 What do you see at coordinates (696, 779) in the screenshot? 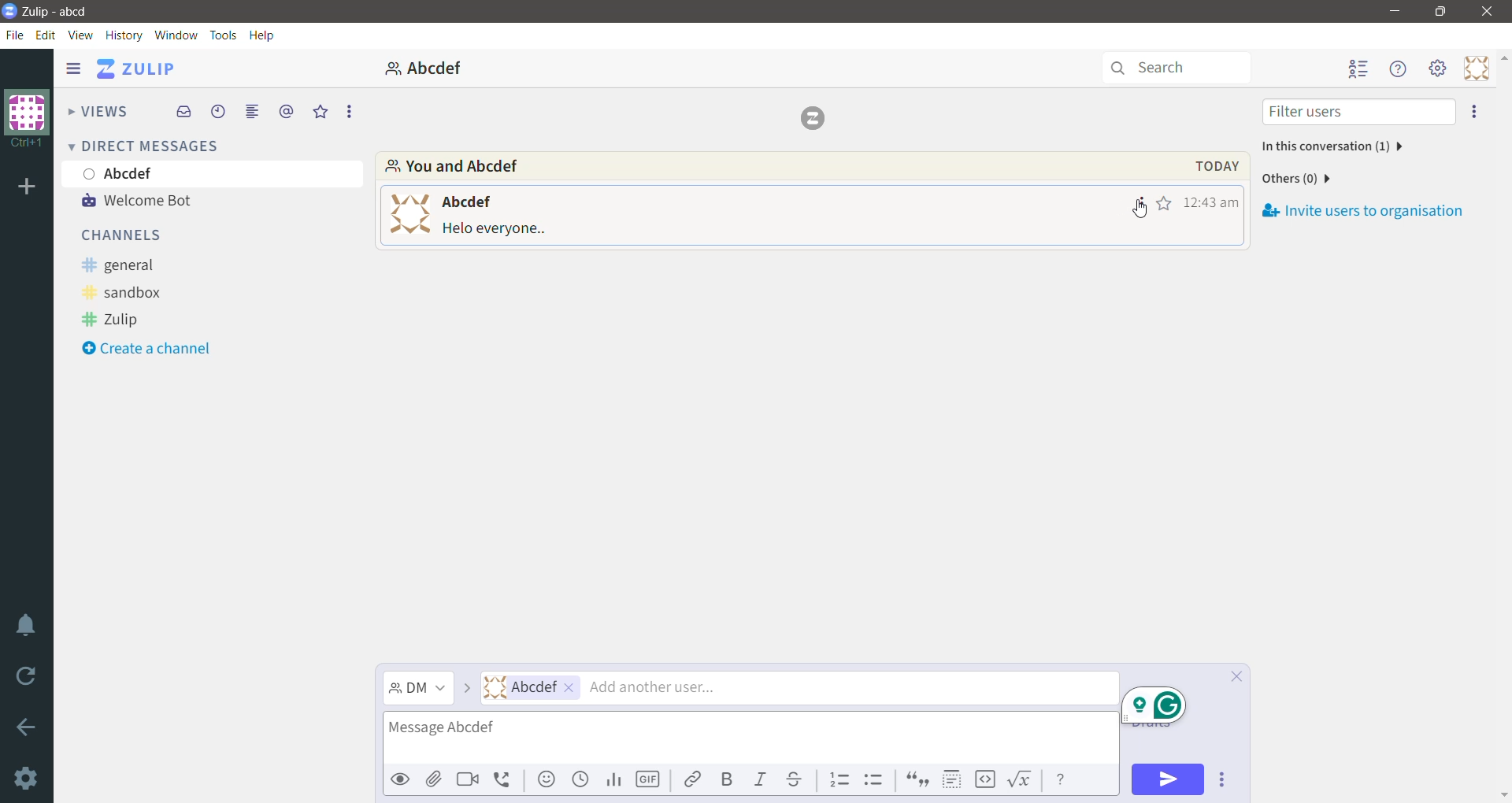
I see `` at bounding box center [696, 779].